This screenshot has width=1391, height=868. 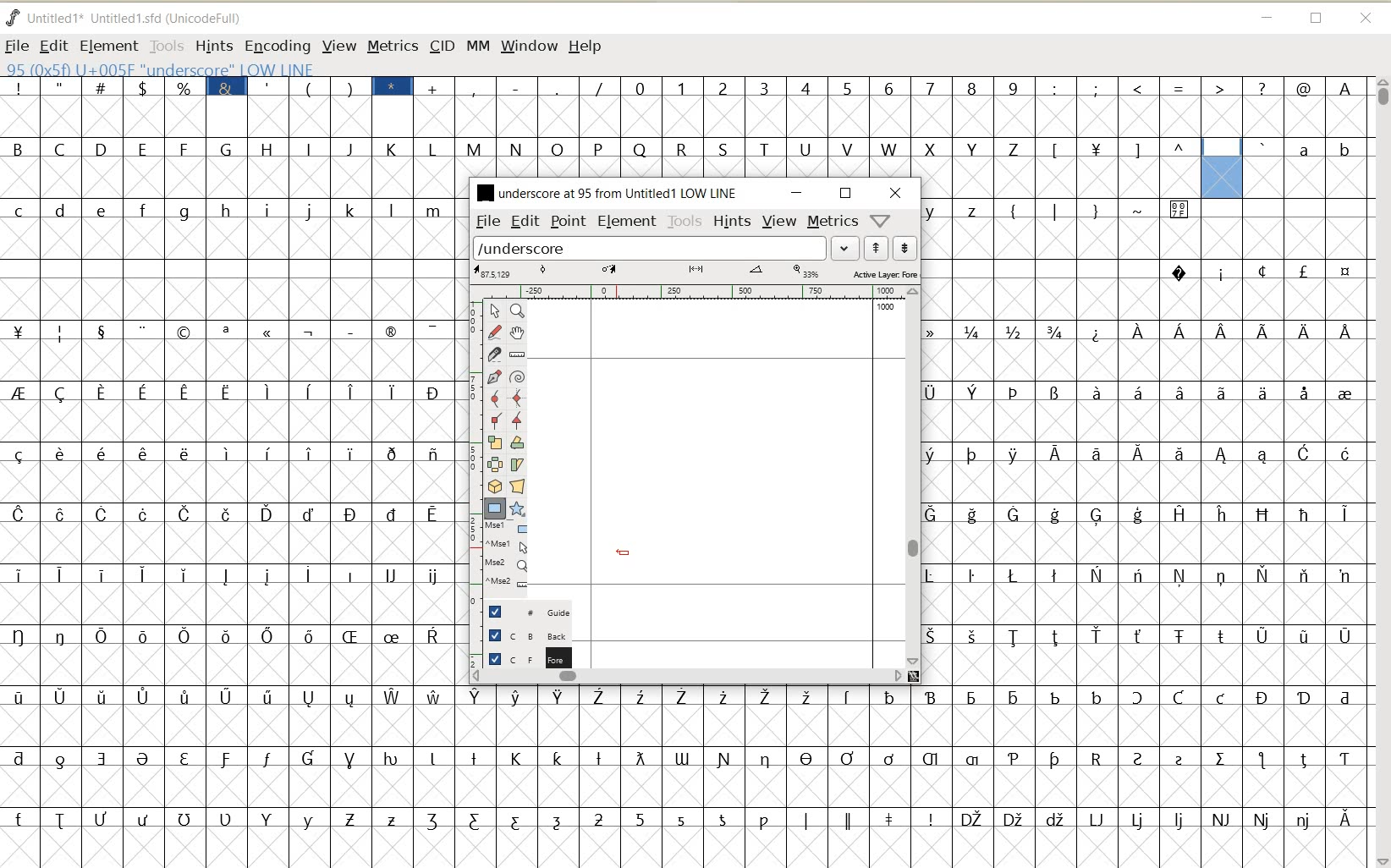 I want to click on FONTFORGE, so click(x=13, y=17).